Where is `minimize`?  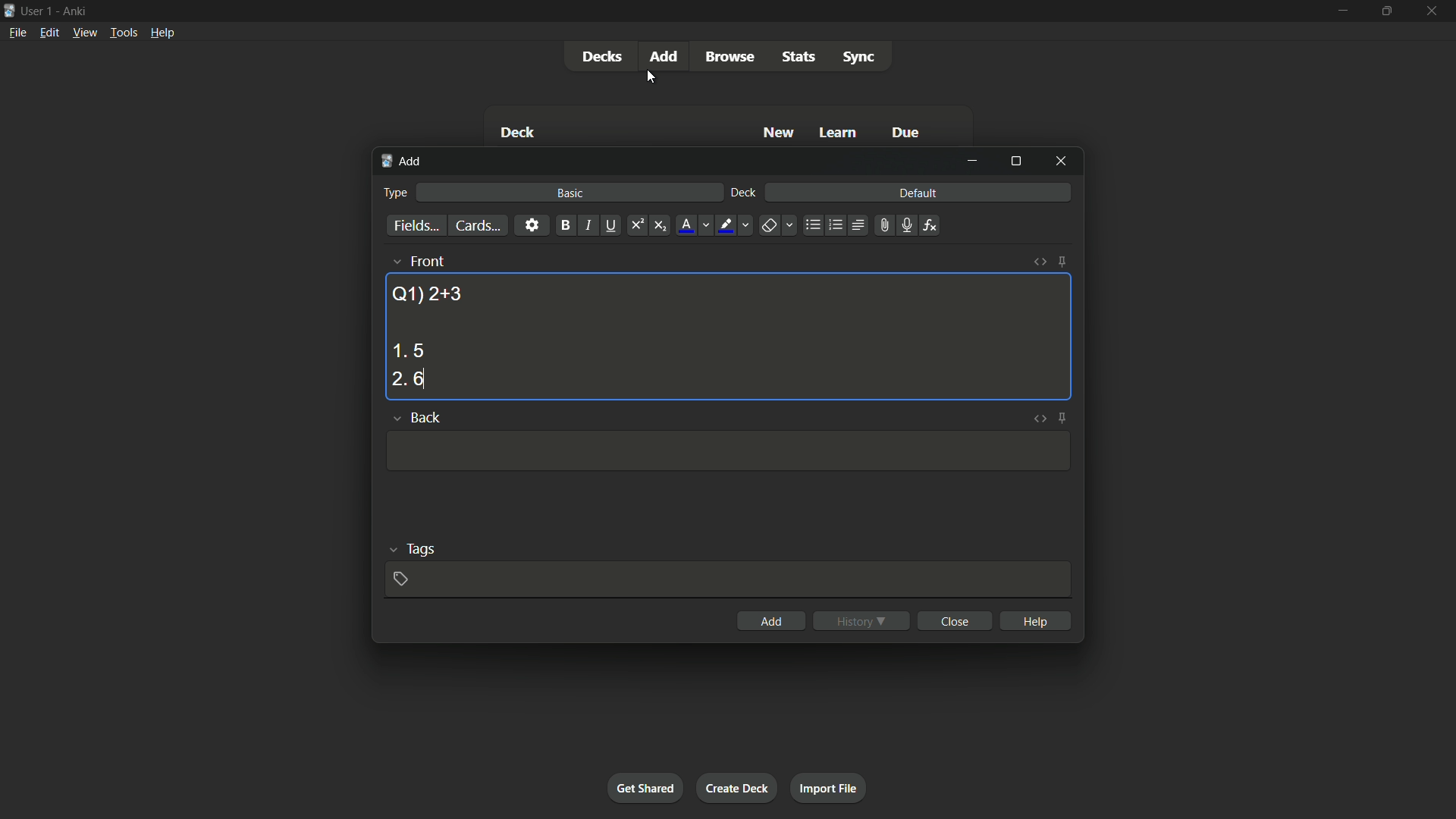
minimize is located at coordinates (972, 161).